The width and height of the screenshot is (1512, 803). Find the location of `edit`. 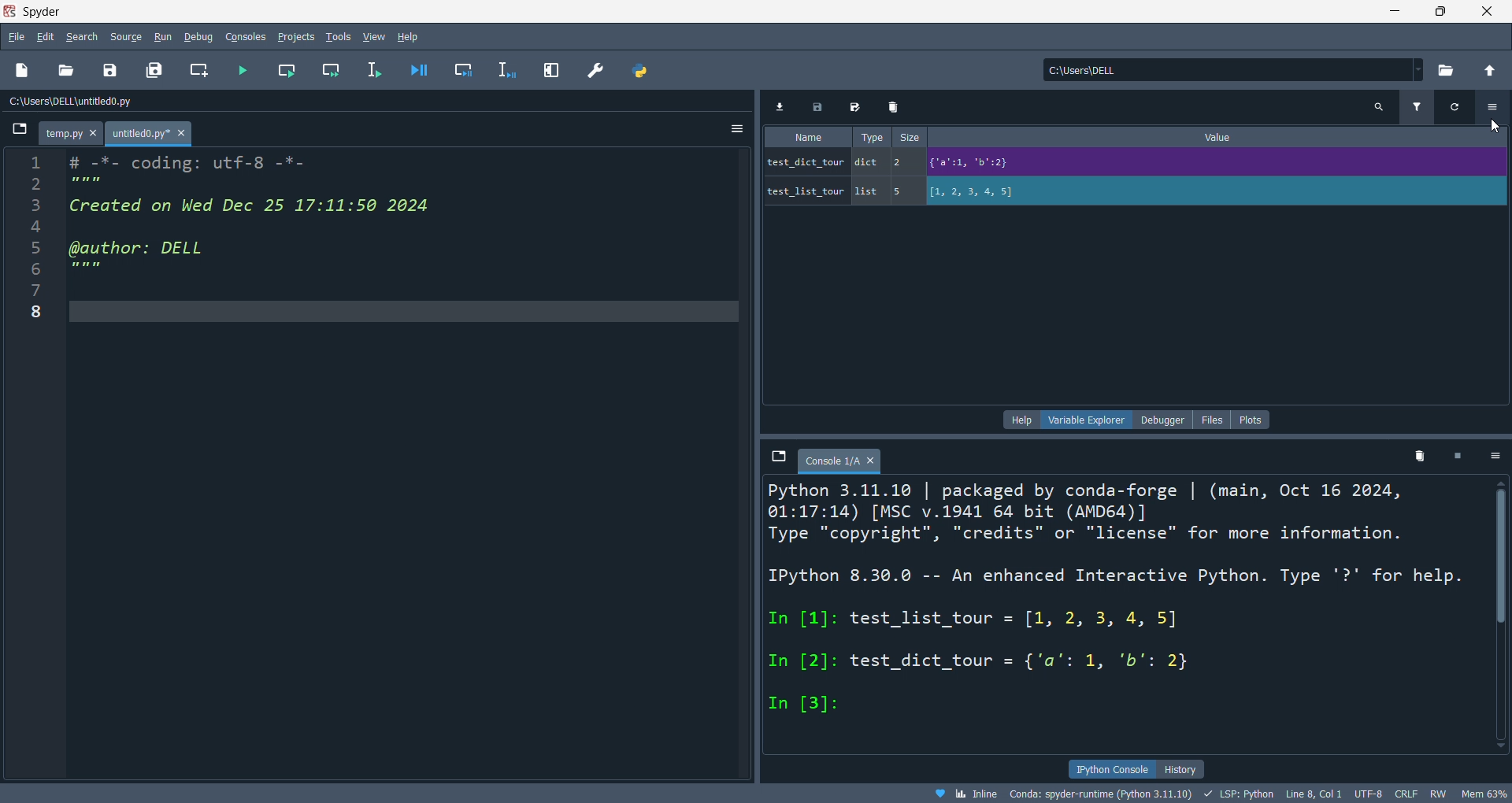

edit is located at coordinates (45, 36).